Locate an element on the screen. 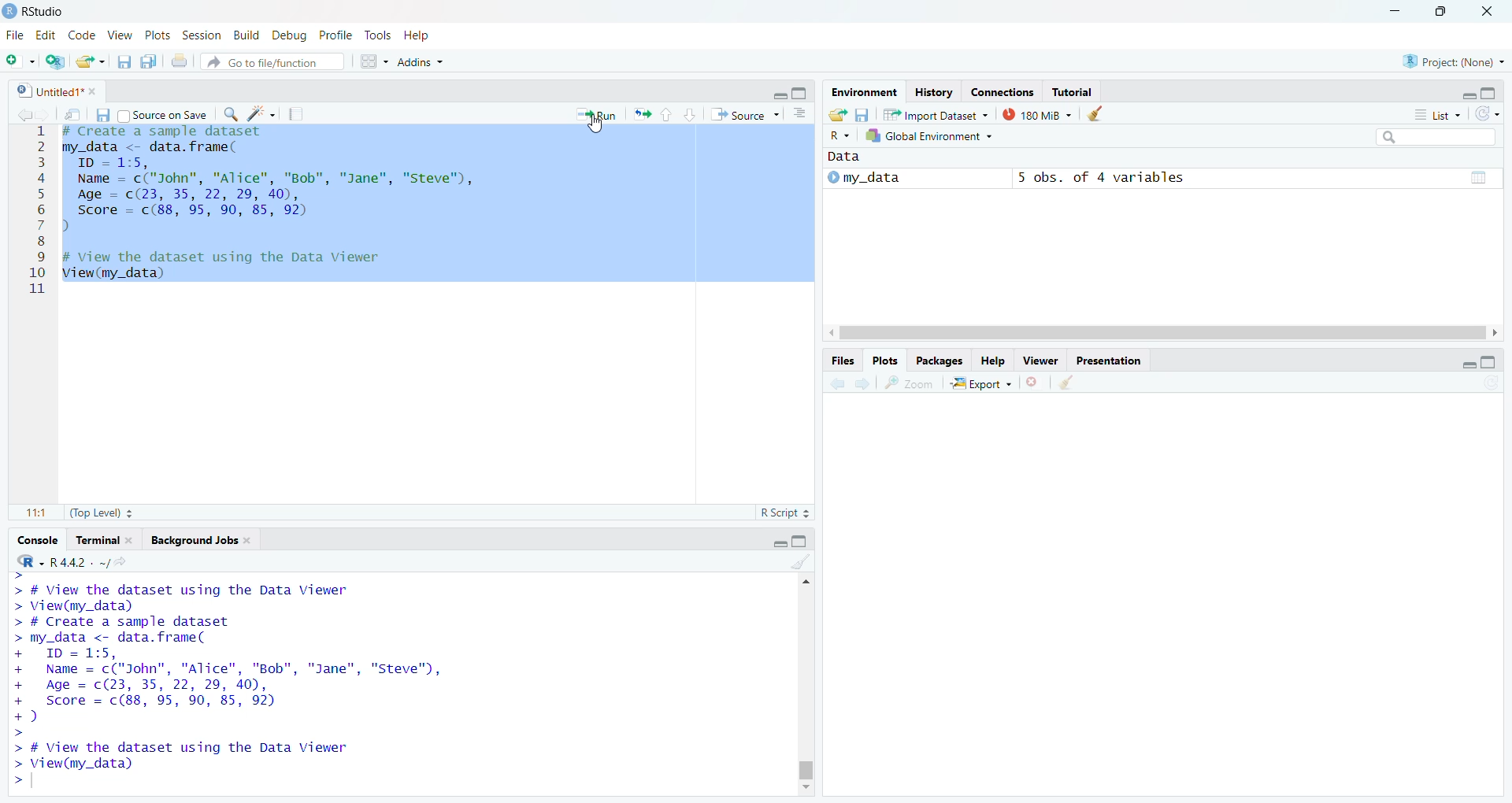 This screenshot has width=1512, height=803. New file is located at coordinates (18, 59).